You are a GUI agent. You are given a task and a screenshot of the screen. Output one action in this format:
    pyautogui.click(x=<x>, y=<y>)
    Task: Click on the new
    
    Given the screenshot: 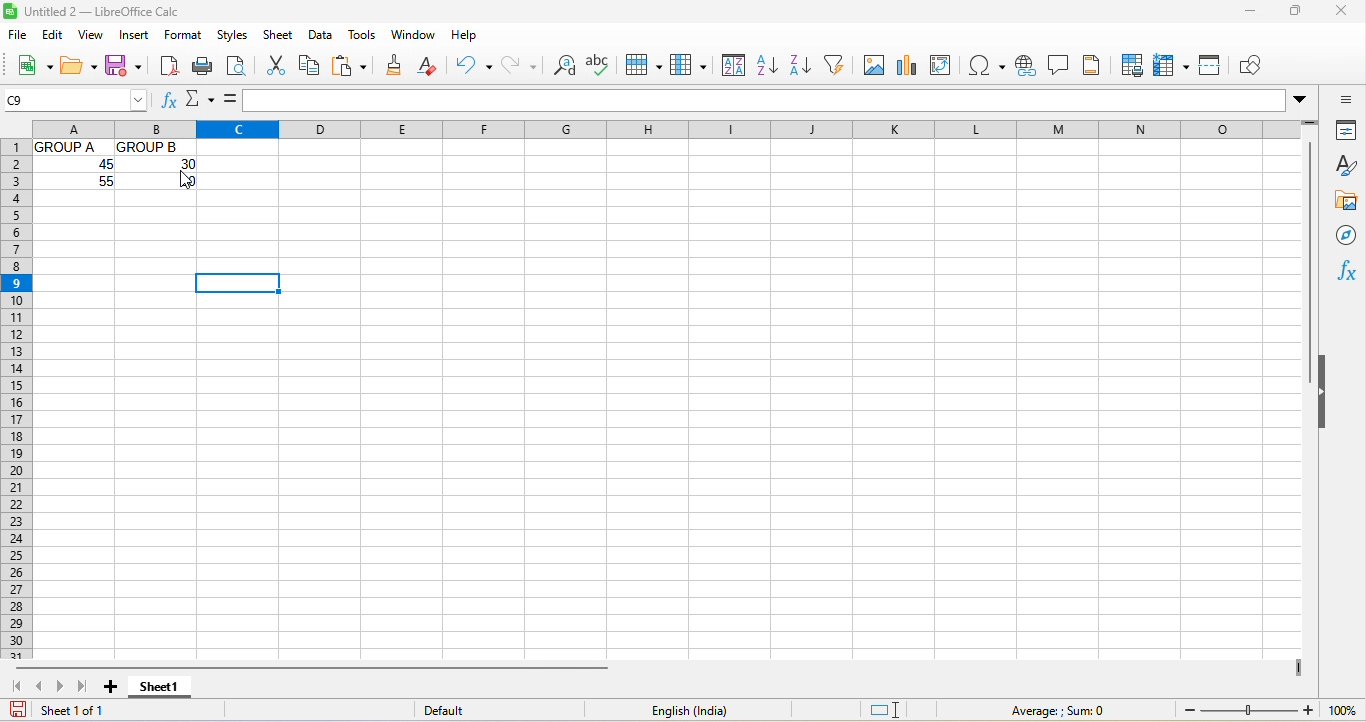 What is the action you would take?
    pyautogui.click(x=28, y=64)
    